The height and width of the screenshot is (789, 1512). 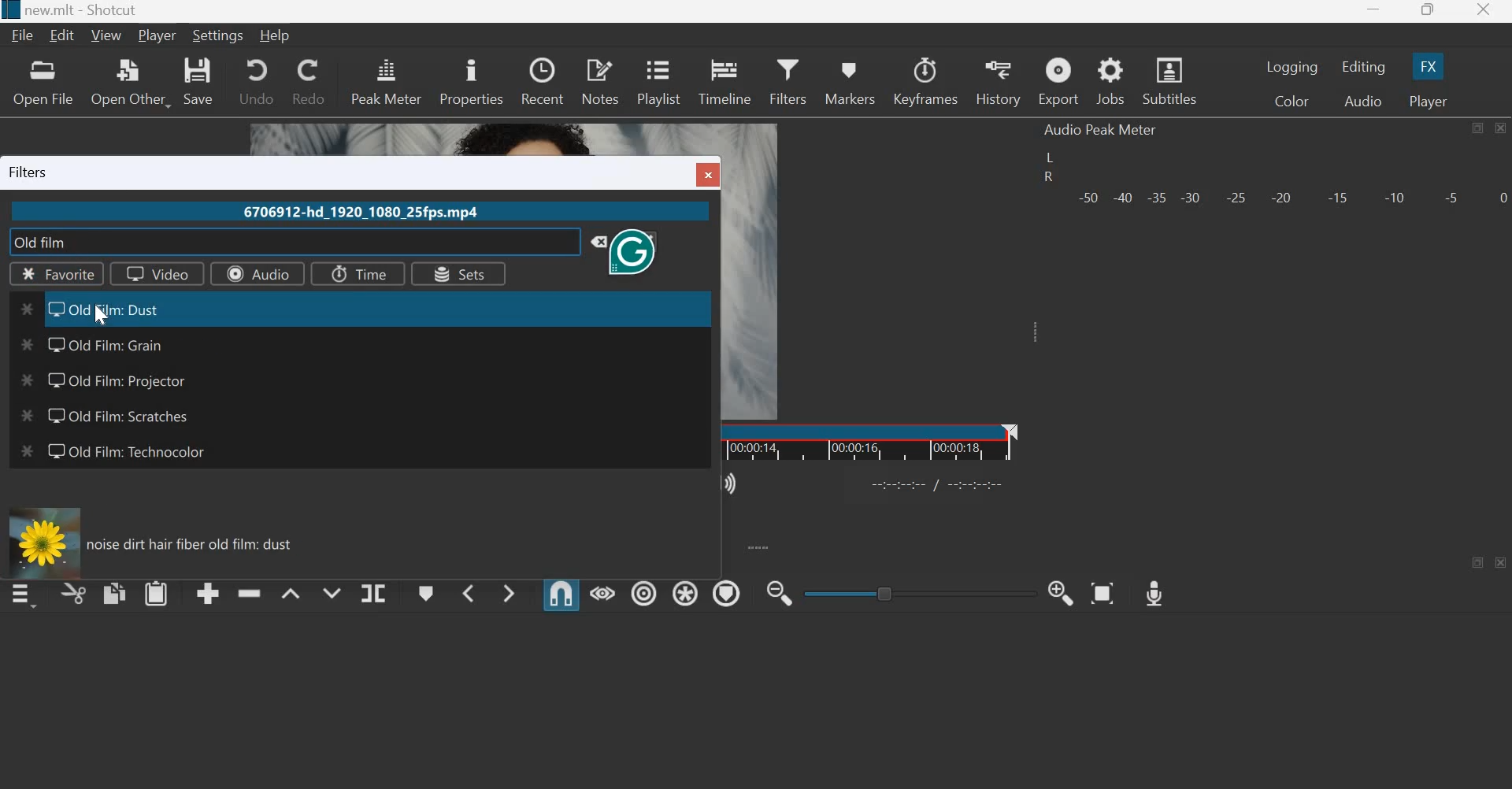 What do you see at coordinates (291, 593) in the screenshot?
I see `Lift` at bounding box center [291, 593].